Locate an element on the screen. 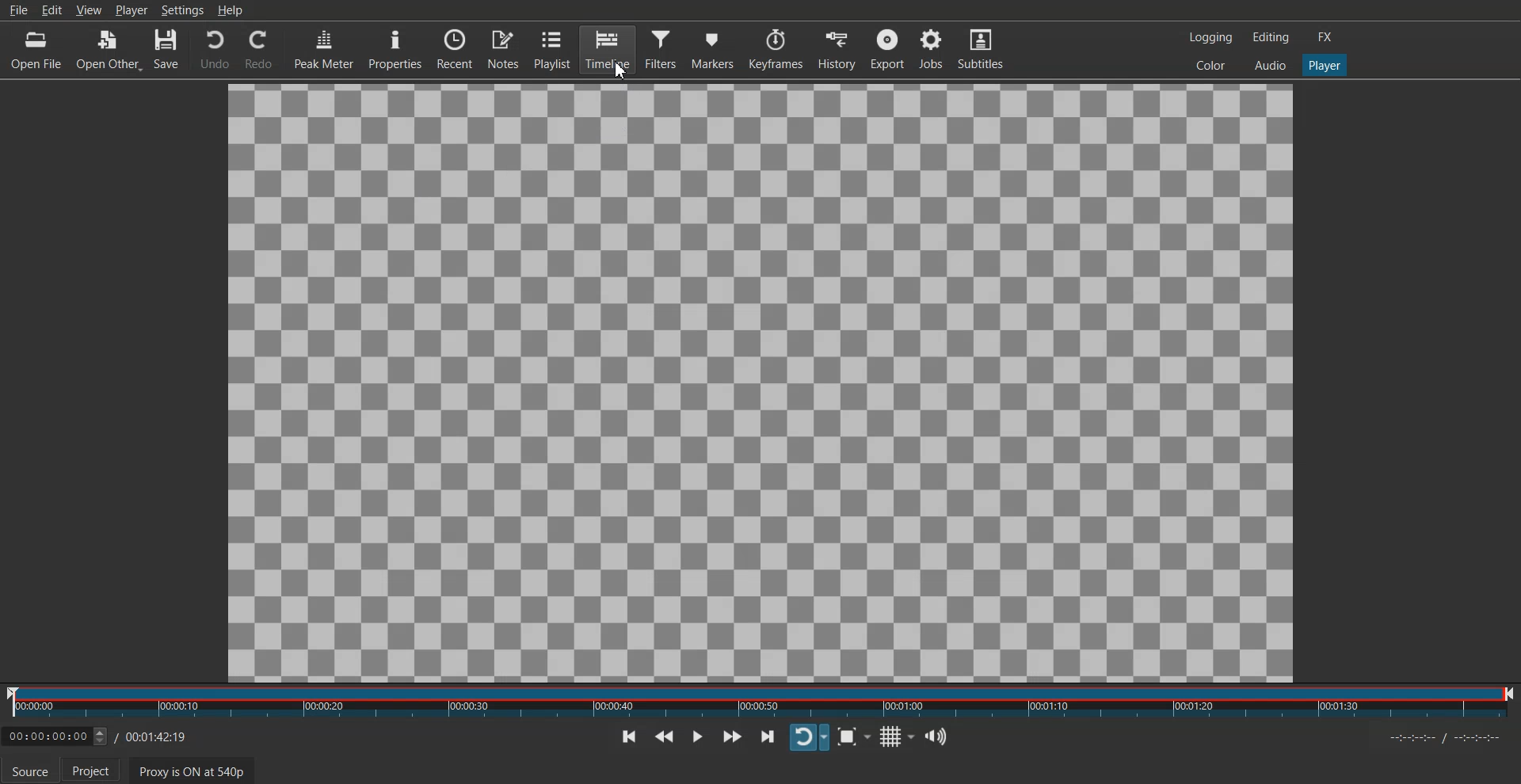 This screenshot has height=784, width=1521. Toggle grid display on the player is located at coordinates (898, 736).